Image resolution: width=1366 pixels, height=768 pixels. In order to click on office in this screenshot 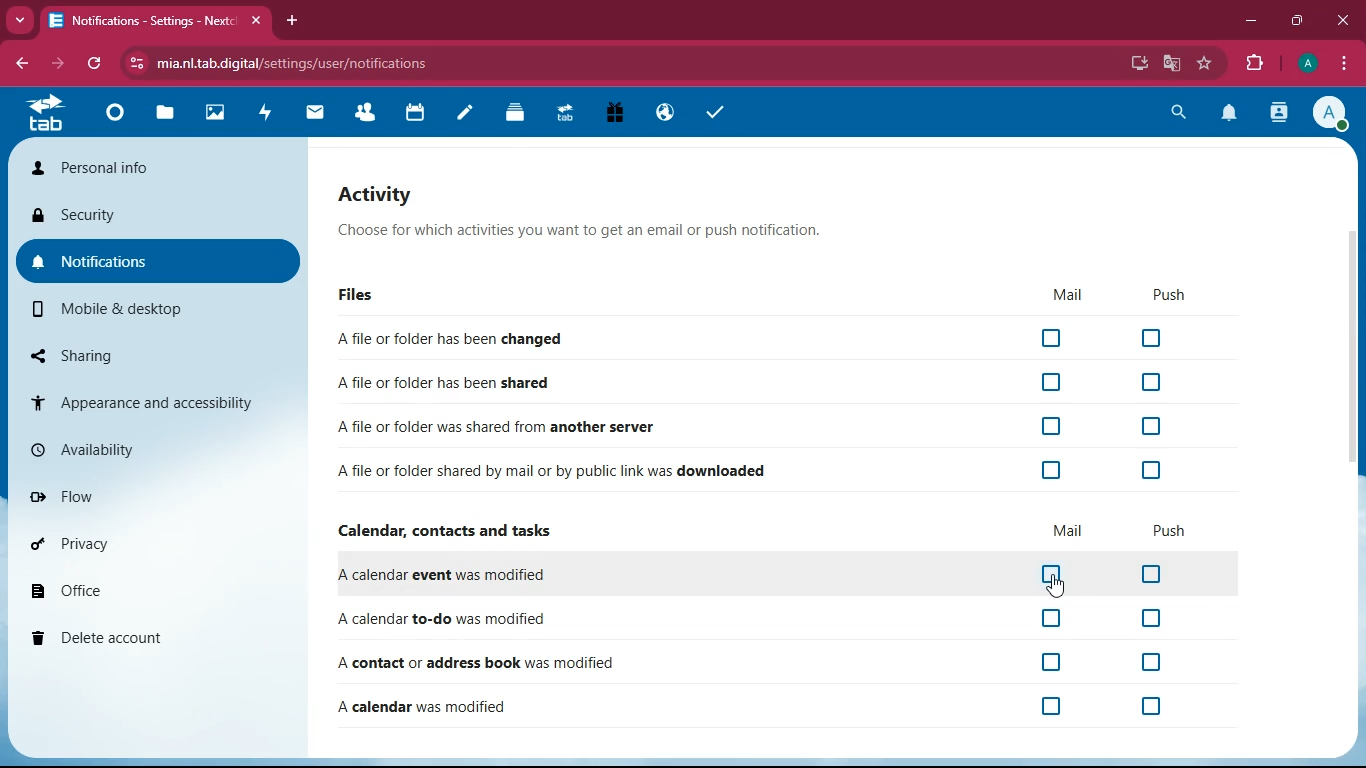, I will do `click(157, 588)`.